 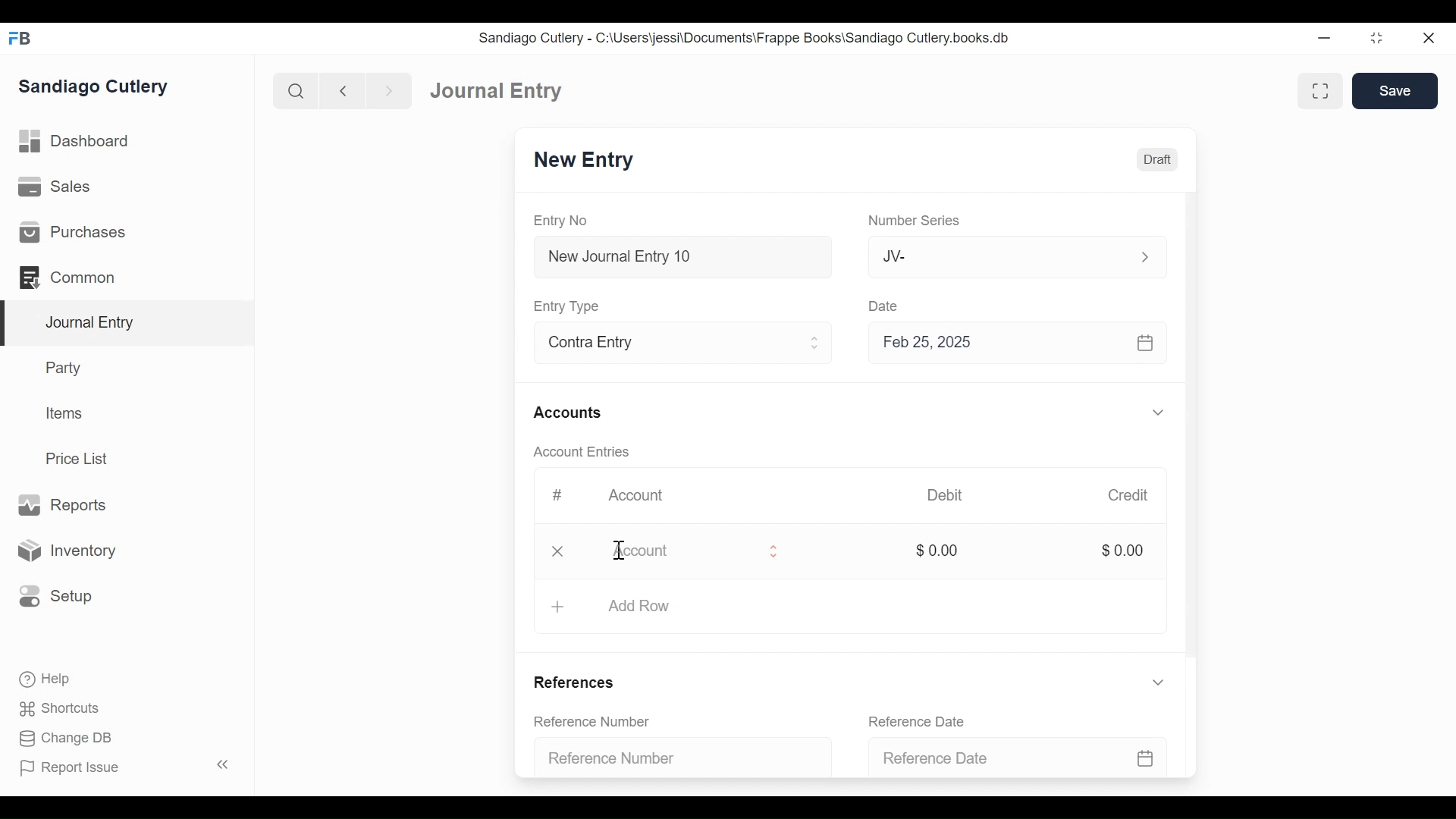 I want to click on Cursor, so click(x=620, y=551).